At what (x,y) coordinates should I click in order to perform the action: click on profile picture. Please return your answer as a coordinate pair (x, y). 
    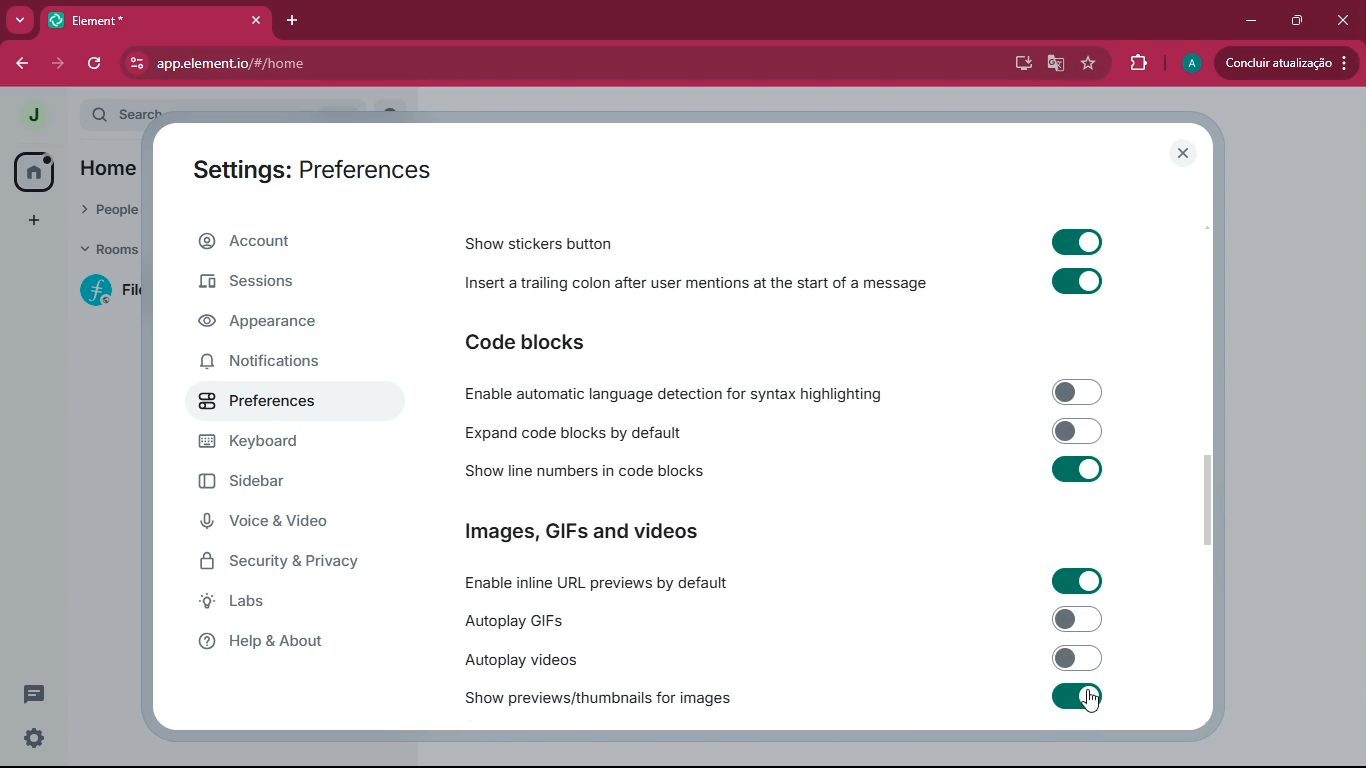
    Looking at the image, I should click on (1188, 63).